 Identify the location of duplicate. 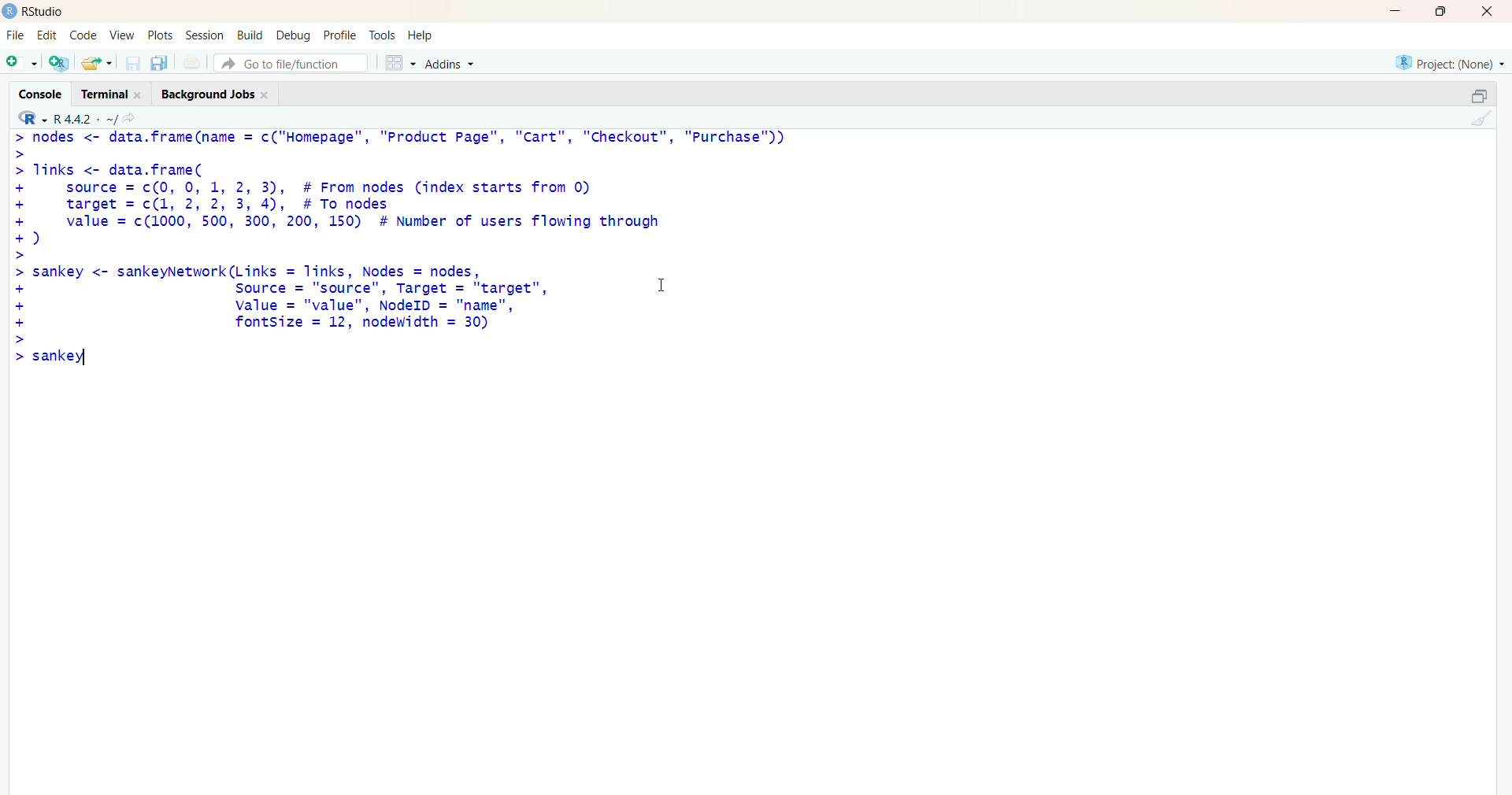
(161, 63).